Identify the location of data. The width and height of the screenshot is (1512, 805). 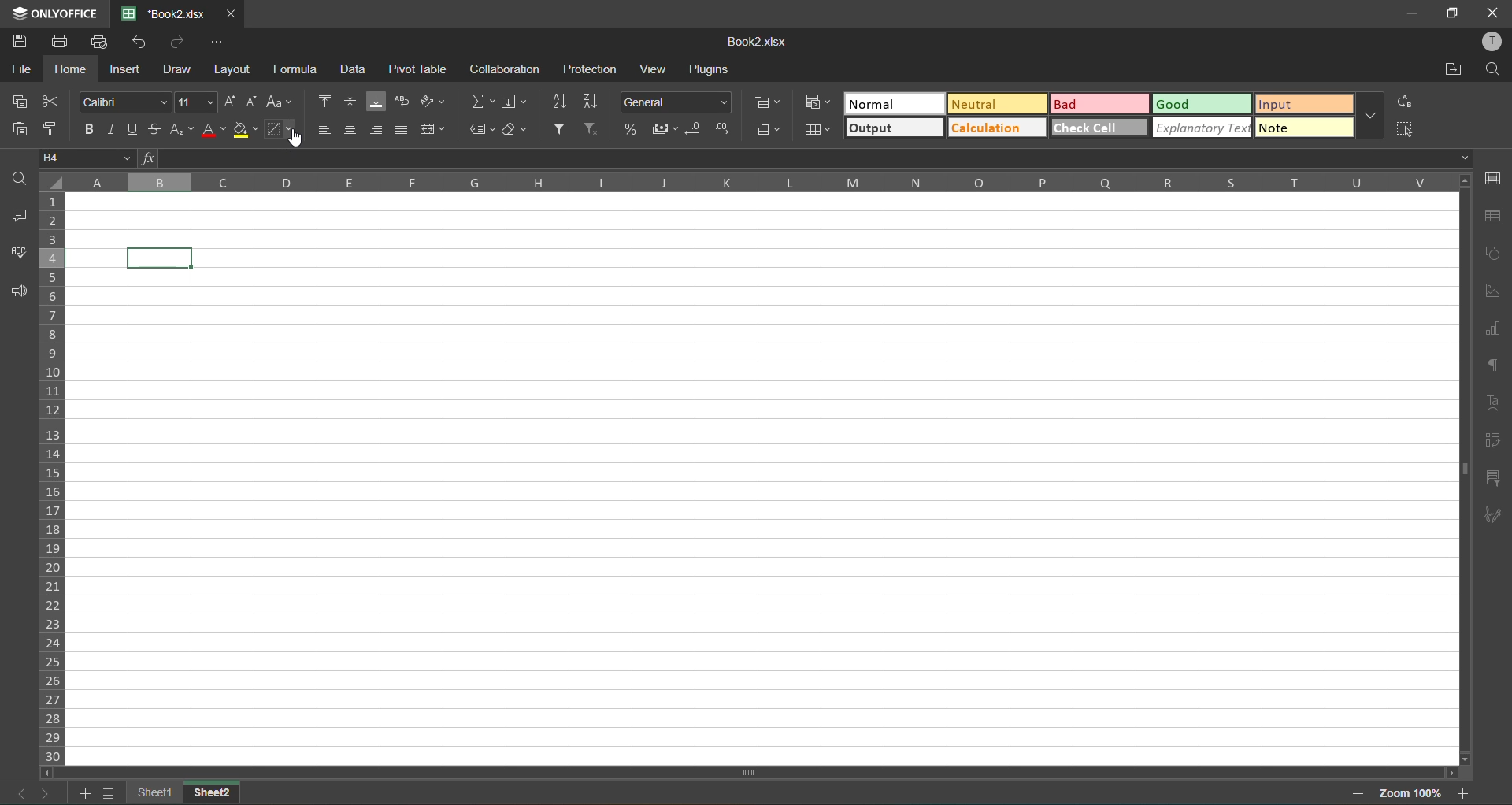
(354, 71).